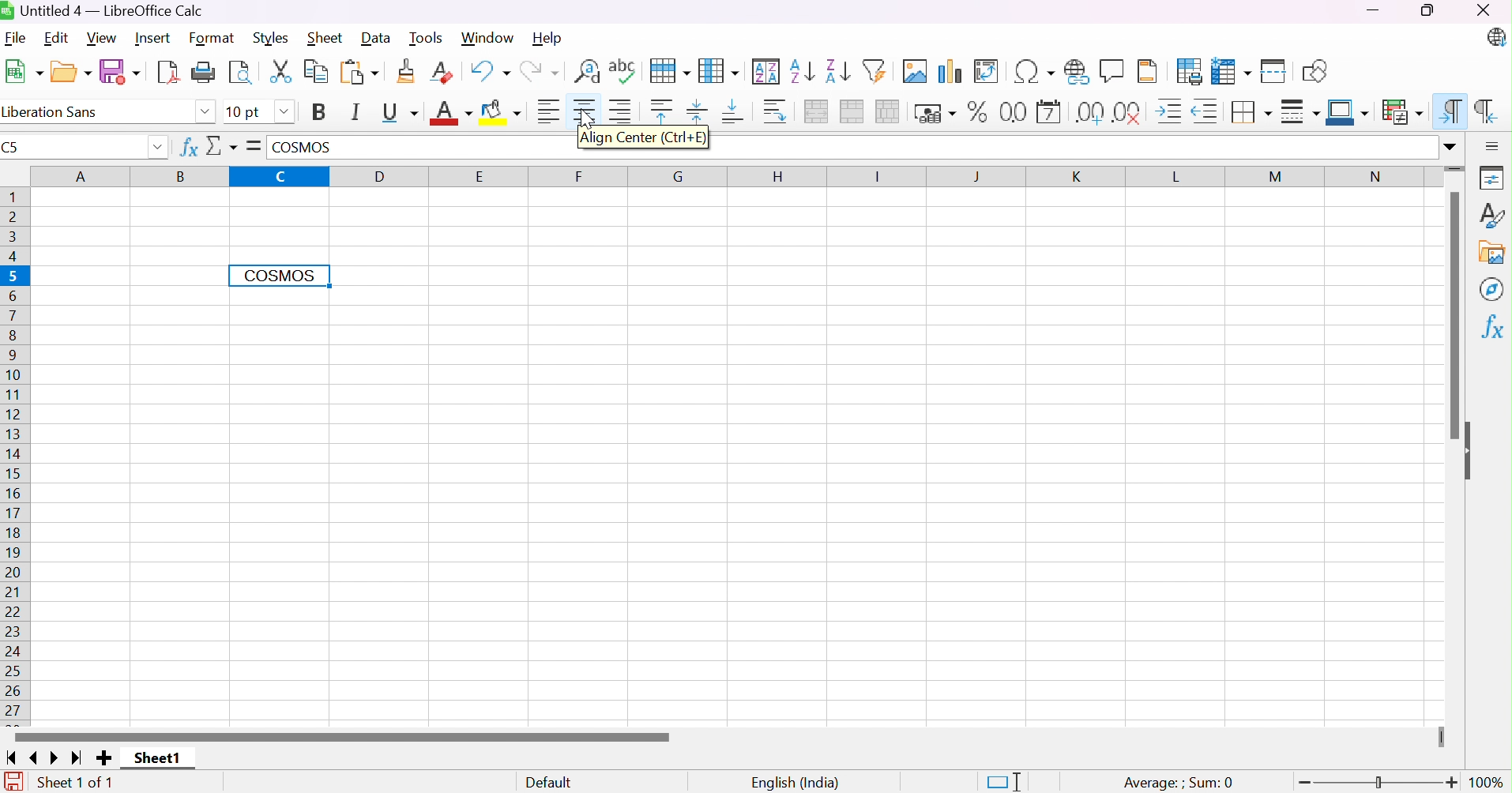 This screenshot has height=793, width=1512. What do you see at coordinates (937, 112) in the screenshot?
I see `Format as Currency` at bounding box center [937, 112].